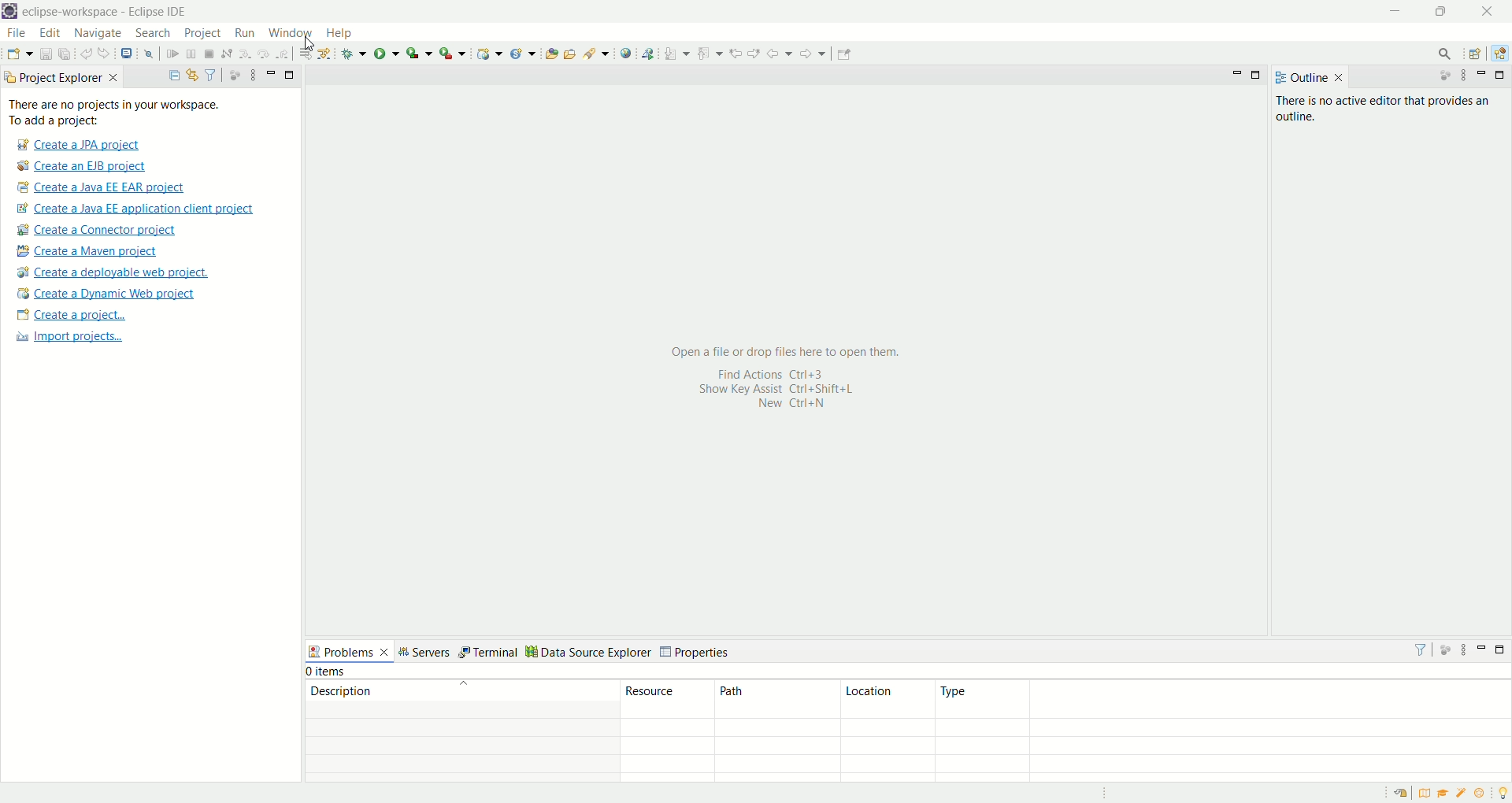  Describe the element at coordinates (135, 209) in the screenshot. I see `create a Java EE application client project` at that location.